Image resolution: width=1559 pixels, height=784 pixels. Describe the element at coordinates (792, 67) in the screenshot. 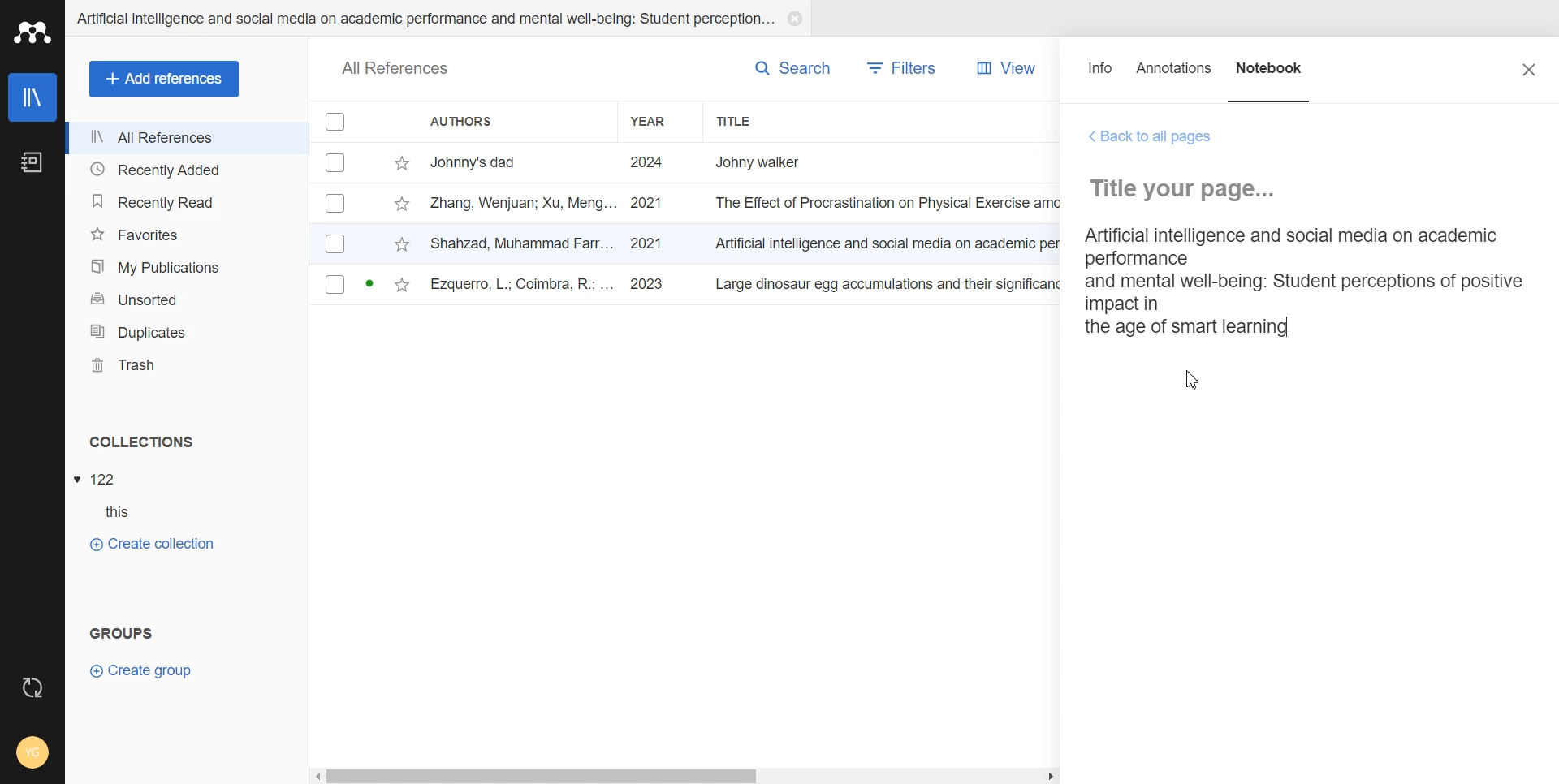

I see `Search` at that location.